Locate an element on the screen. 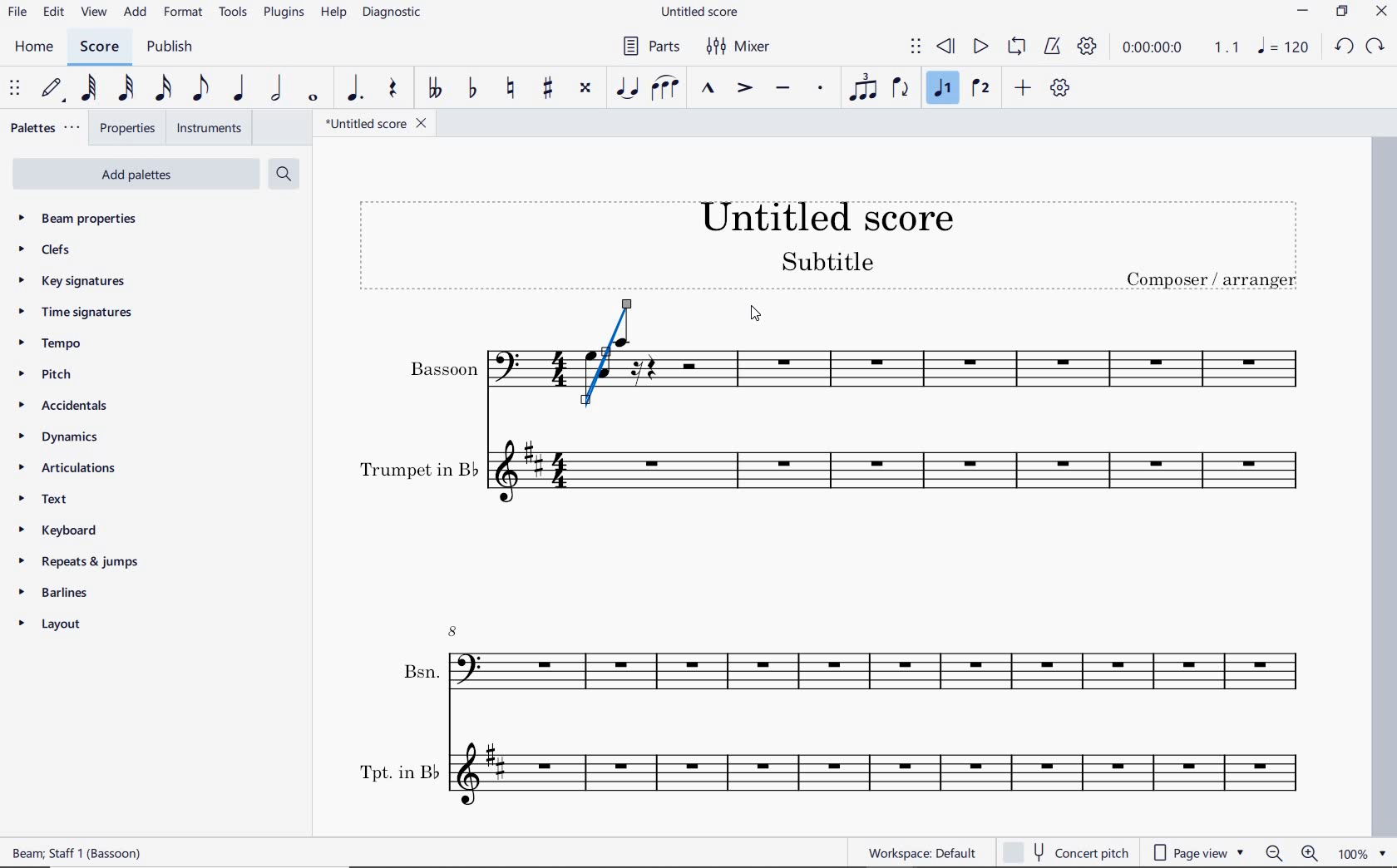  Bsn. is located at coordinates (849, 666).